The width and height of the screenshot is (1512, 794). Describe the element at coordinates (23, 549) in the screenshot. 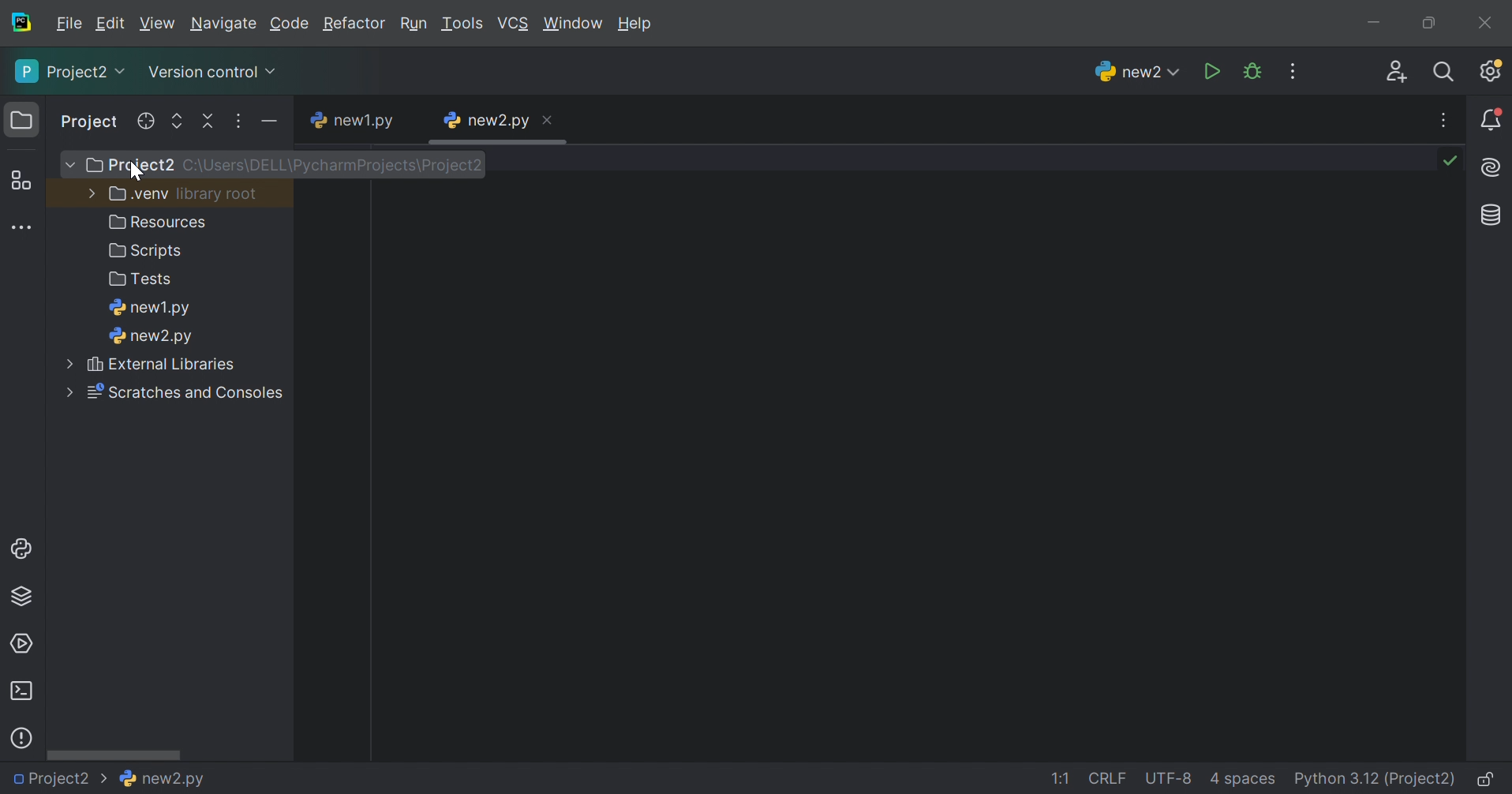

I see `Python console` at that location.